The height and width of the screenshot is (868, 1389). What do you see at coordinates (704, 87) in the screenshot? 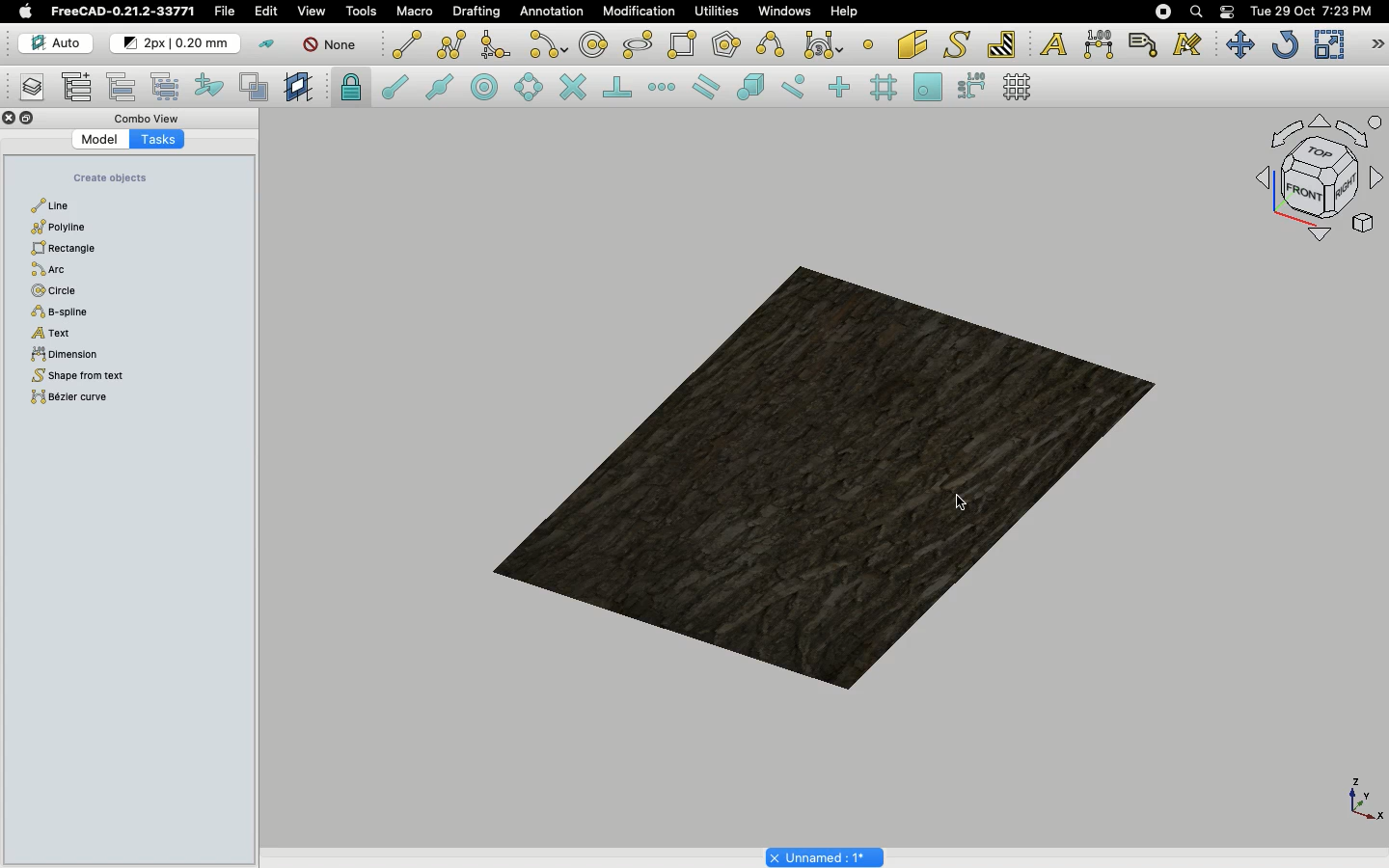
I see `Snap parallel` at bounding box center [704, 87].